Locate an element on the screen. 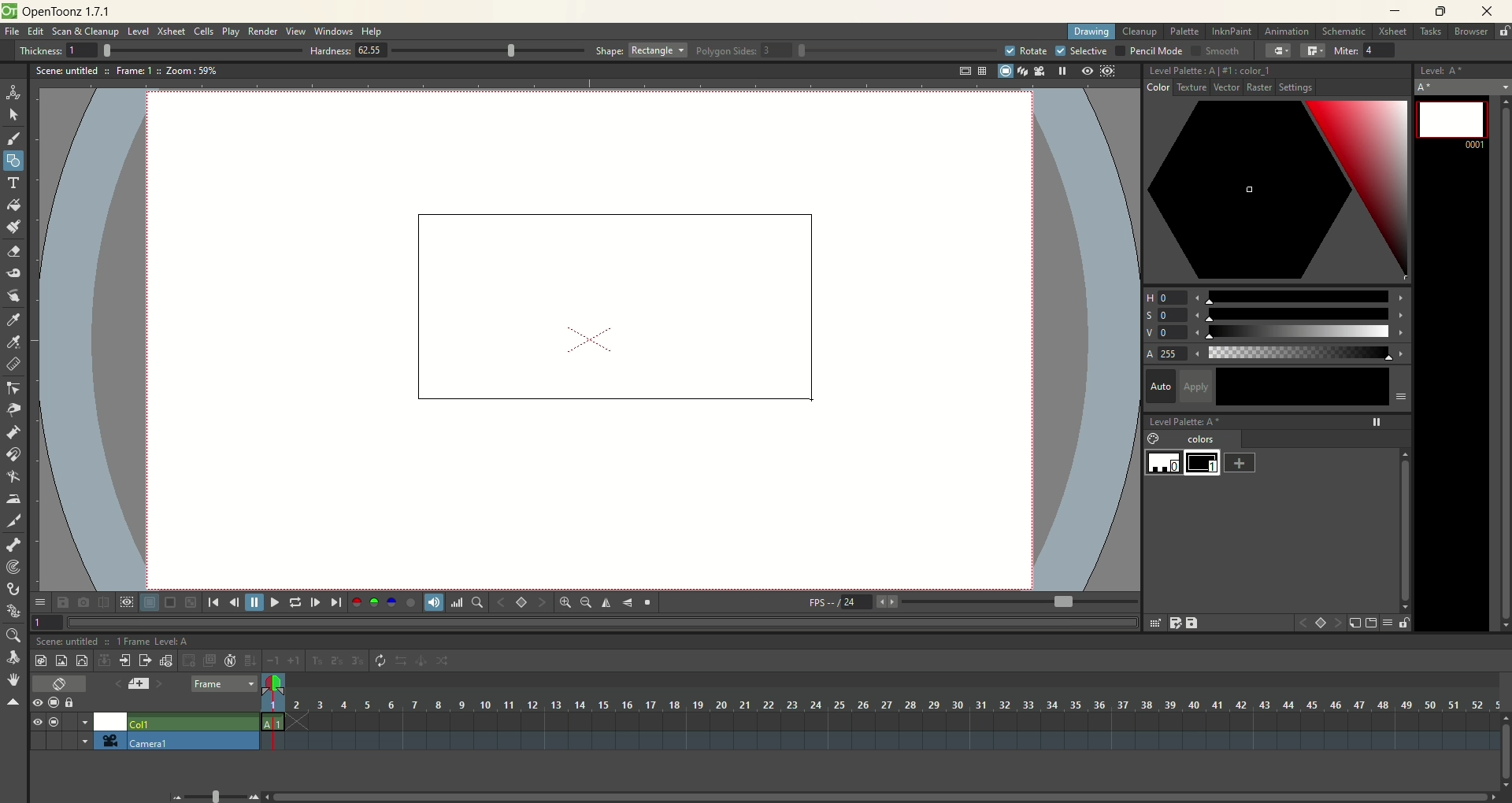 This screenshot has height=803, width=1512. type tool is located at coordinates (15, 183).